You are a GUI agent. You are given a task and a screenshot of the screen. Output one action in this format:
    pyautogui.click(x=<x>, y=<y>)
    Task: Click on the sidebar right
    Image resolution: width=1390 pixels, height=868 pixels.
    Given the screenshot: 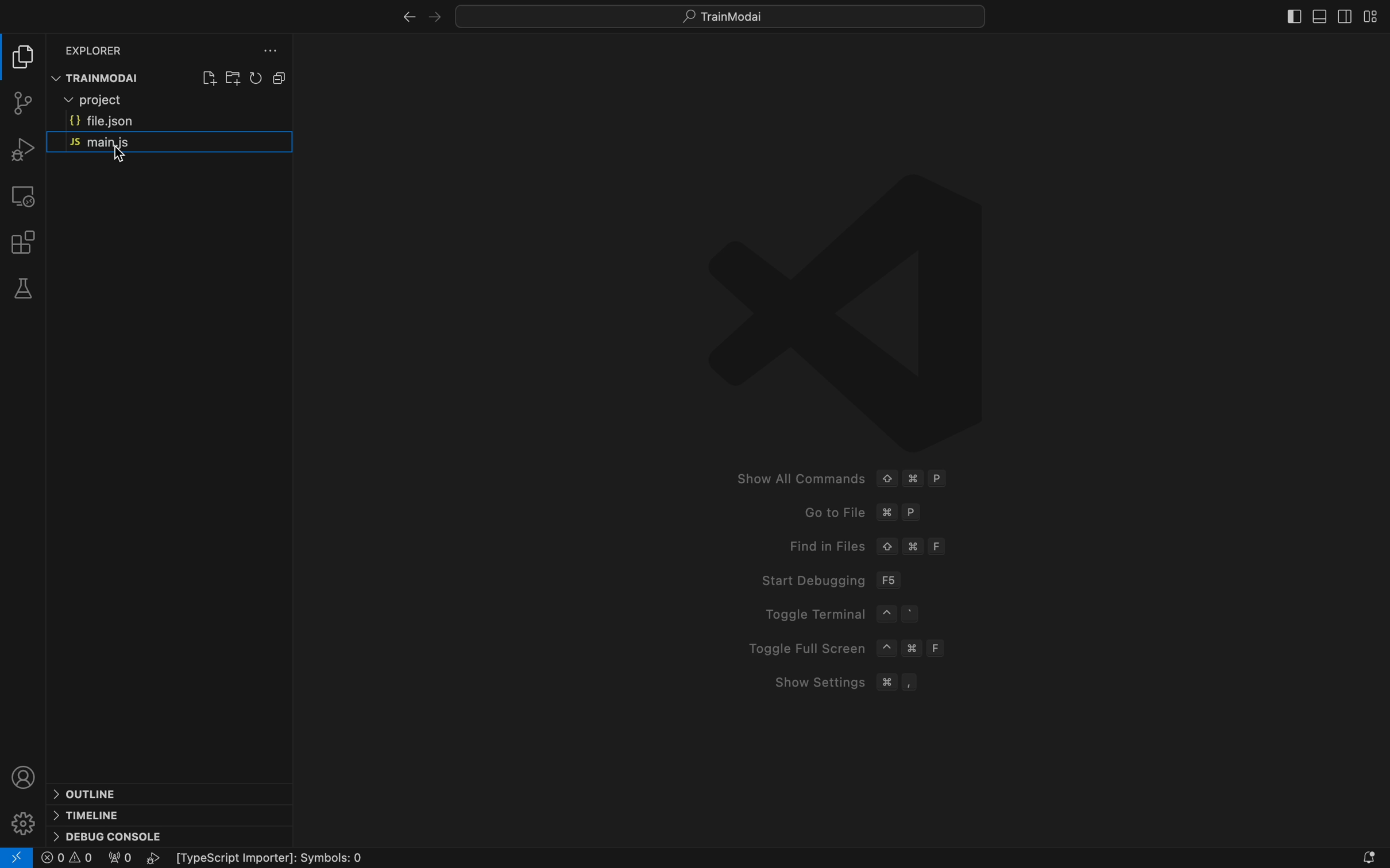 What is the action you would take?
    pyautogui.click(x=1346, y=18)
    